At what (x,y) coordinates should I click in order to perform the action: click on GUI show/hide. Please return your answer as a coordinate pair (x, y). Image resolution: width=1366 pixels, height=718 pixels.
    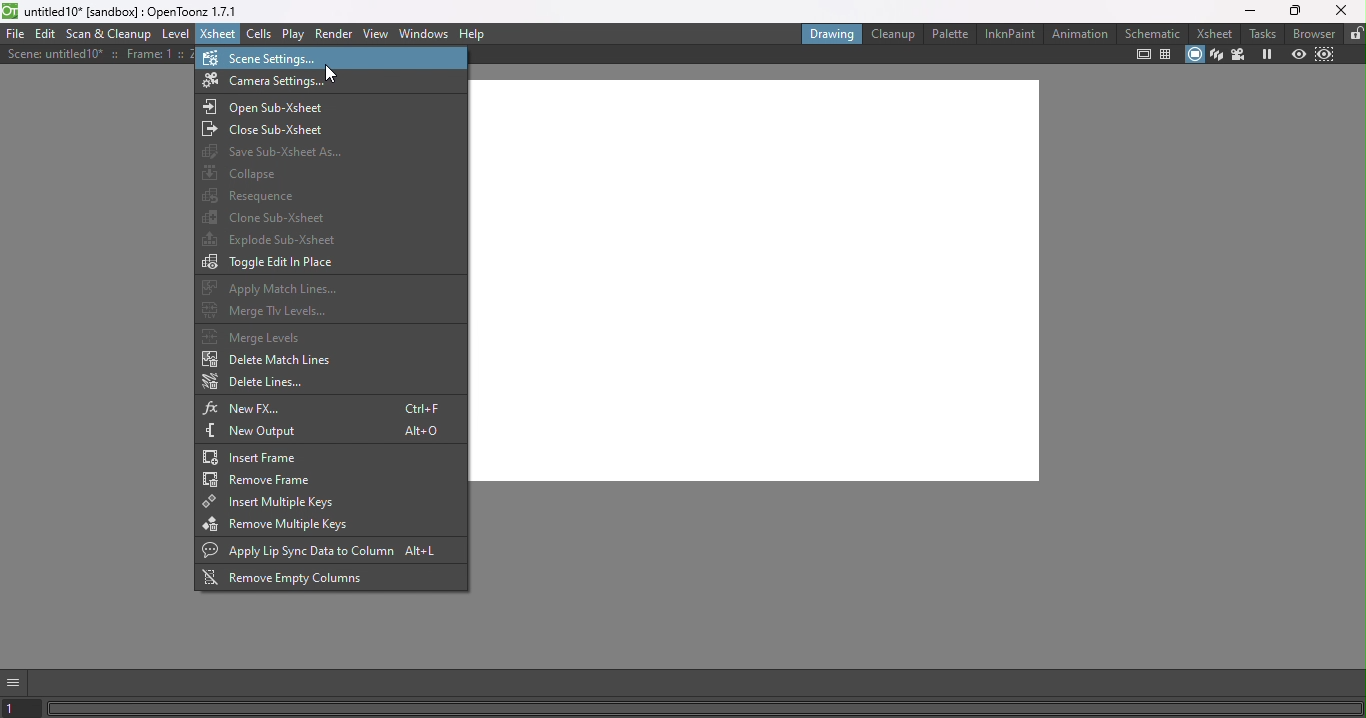
    Looking at the image, I should click on (17, 681).